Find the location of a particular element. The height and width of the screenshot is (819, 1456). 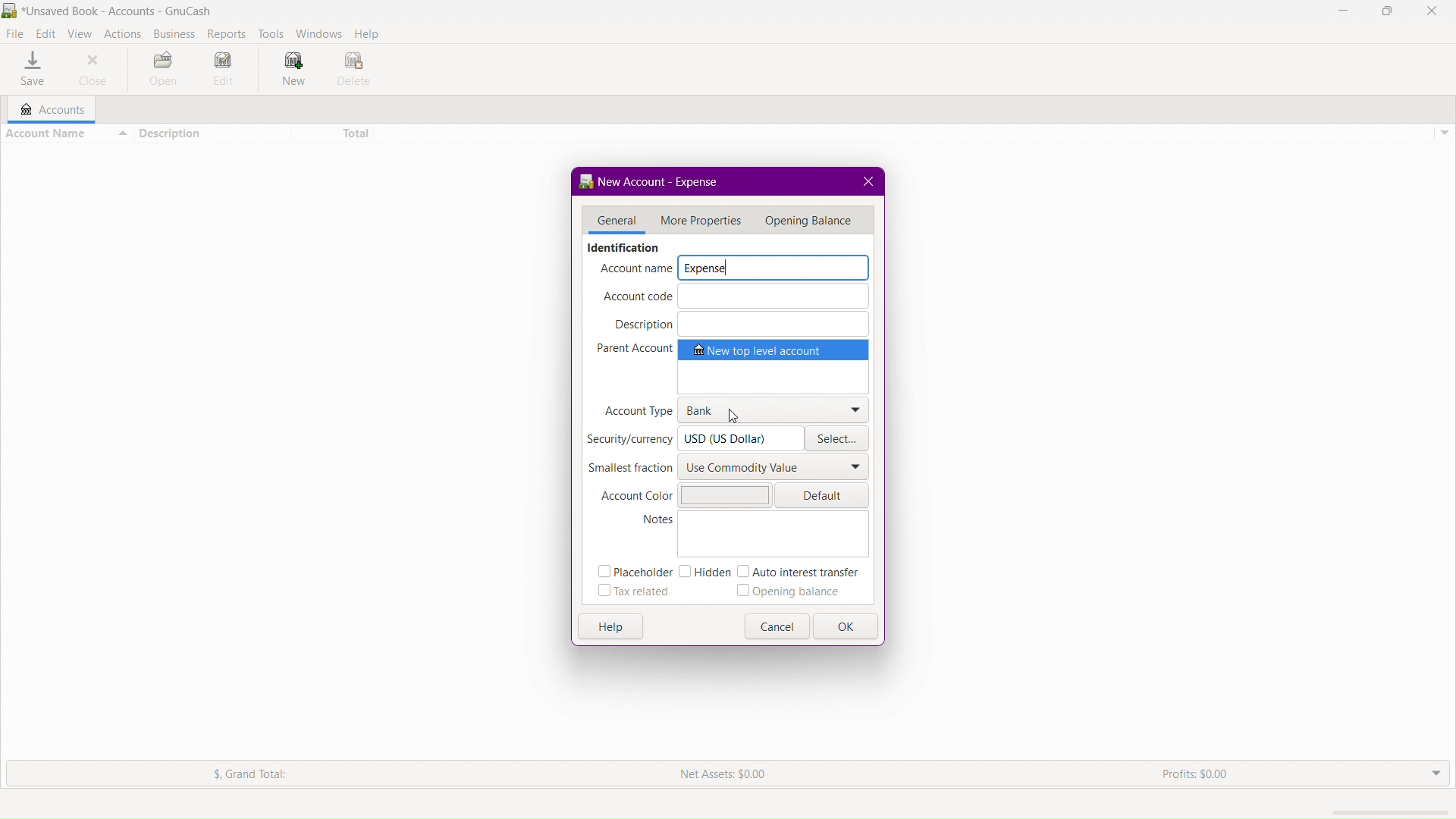

Profits: $0.00 is located at coordinates (1200, 773).